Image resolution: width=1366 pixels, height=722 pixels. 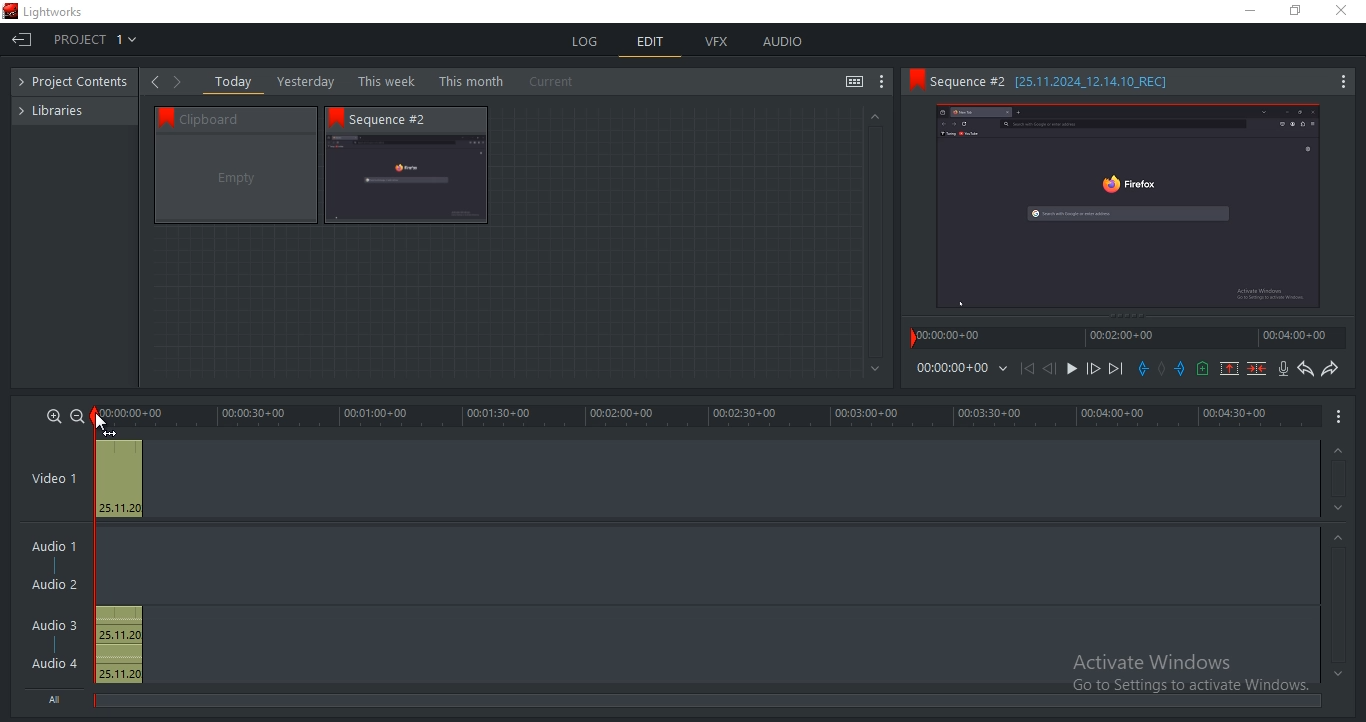 What do you see at coordinates (873, 115) in the screenshot?
I see `greyed out up arrow` at bounding box center [873, 115].